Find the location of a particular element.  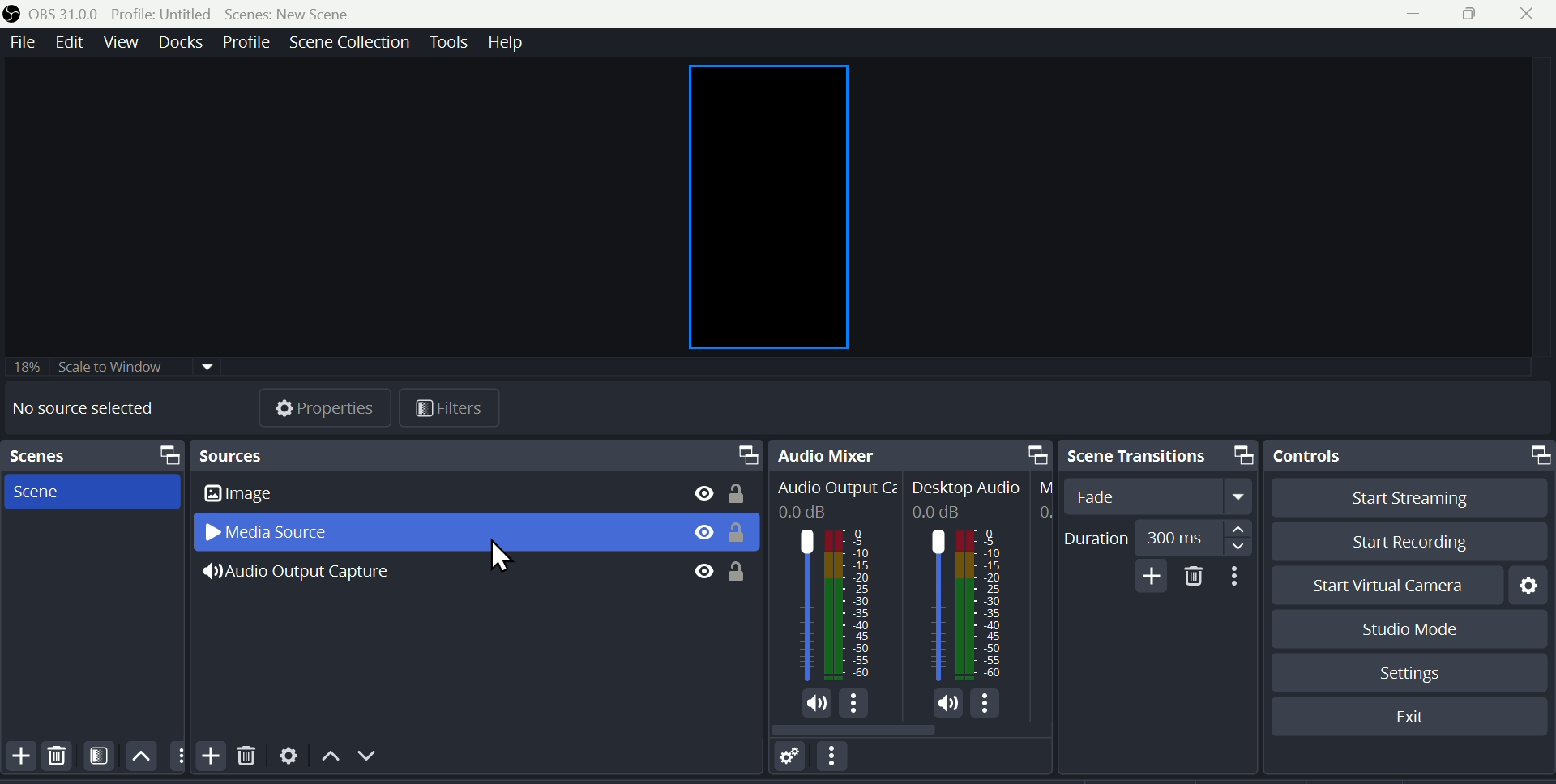

Start streaming is located at coordinates (1400, 498).